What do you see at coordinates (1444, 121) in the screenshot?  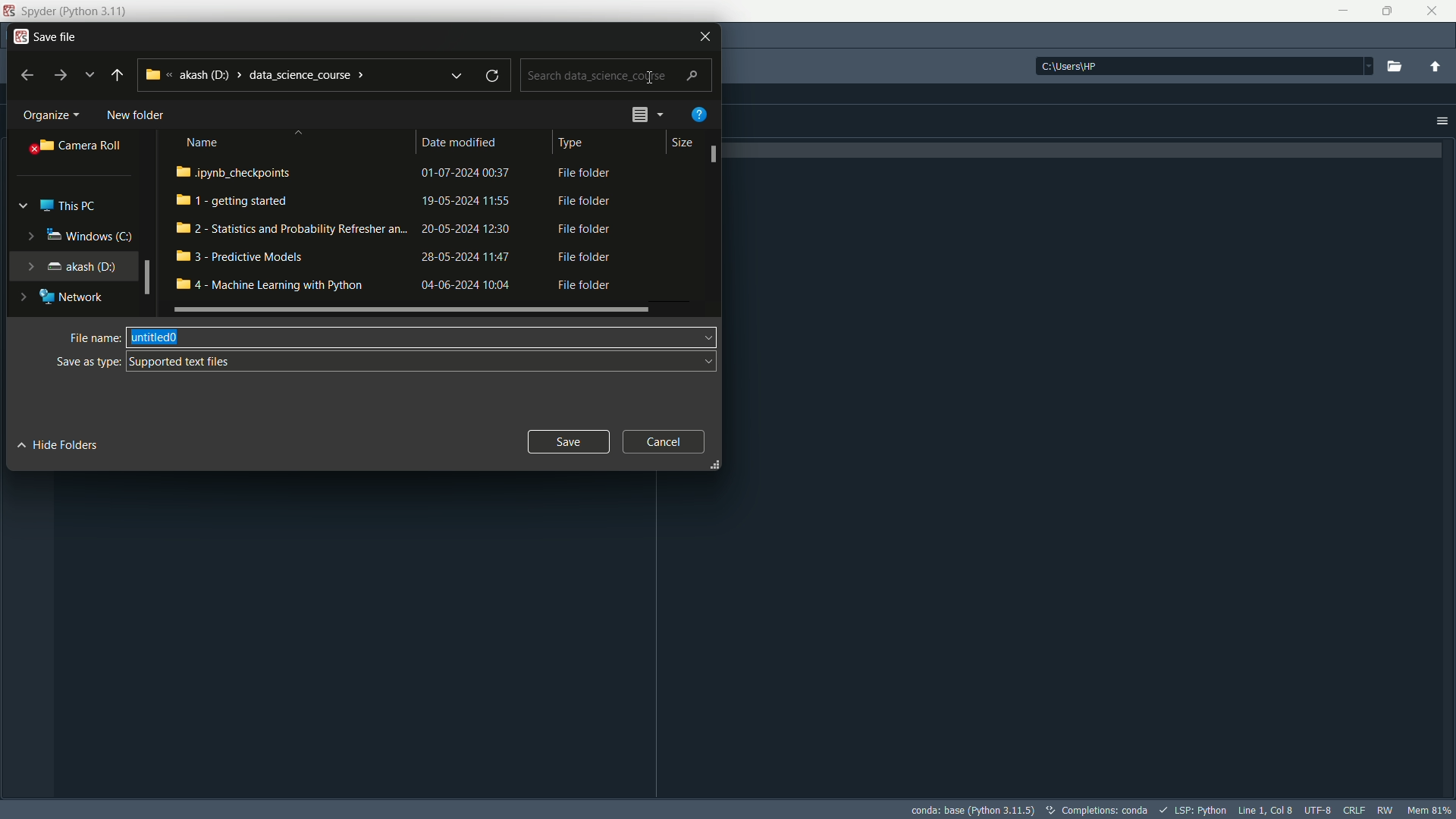 I see `Options` at bounding box center [1444, 121].